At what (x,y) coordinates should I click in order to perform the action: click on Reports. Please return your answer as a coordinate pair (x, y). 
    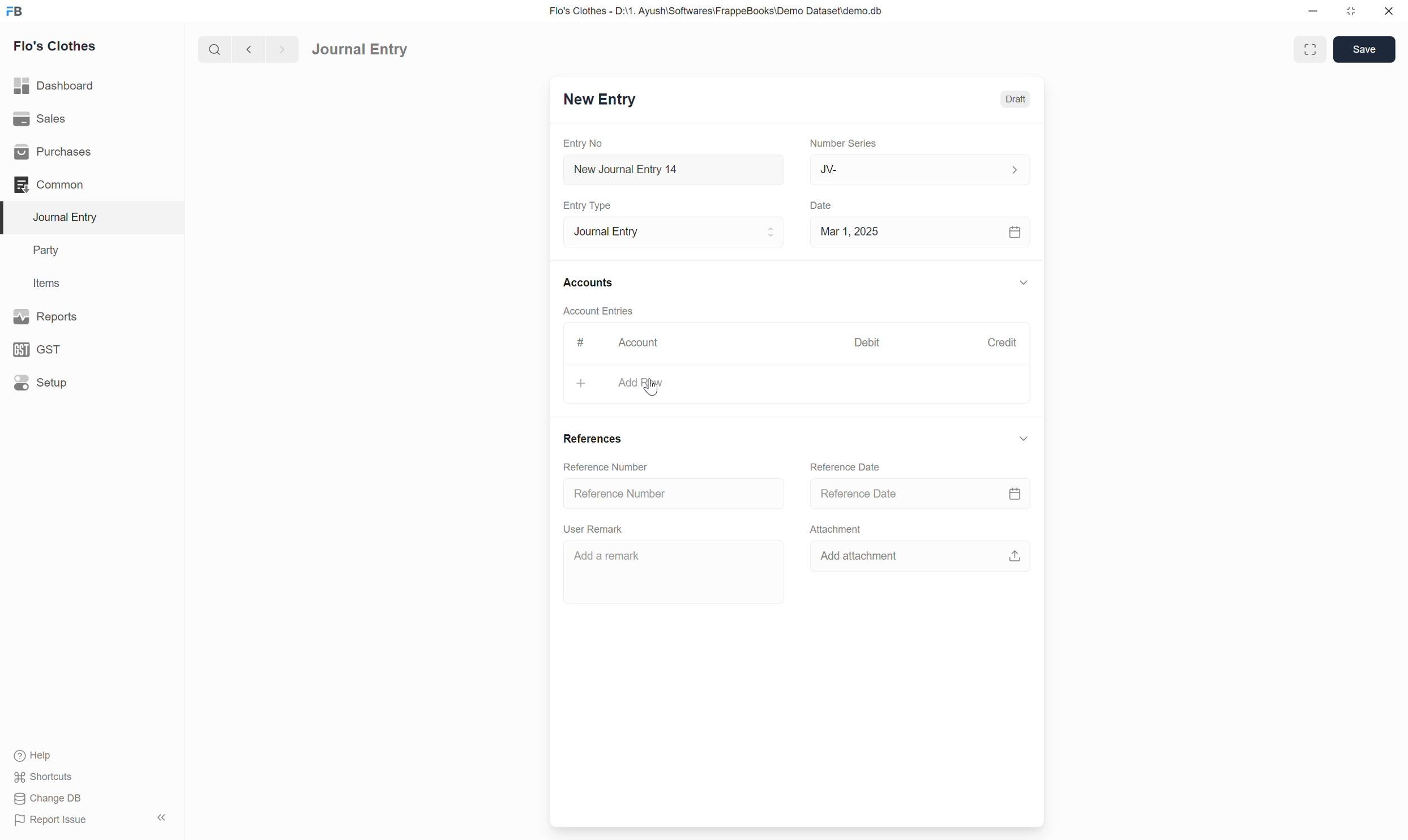
    Looking at the image, I should click on (49, 316).